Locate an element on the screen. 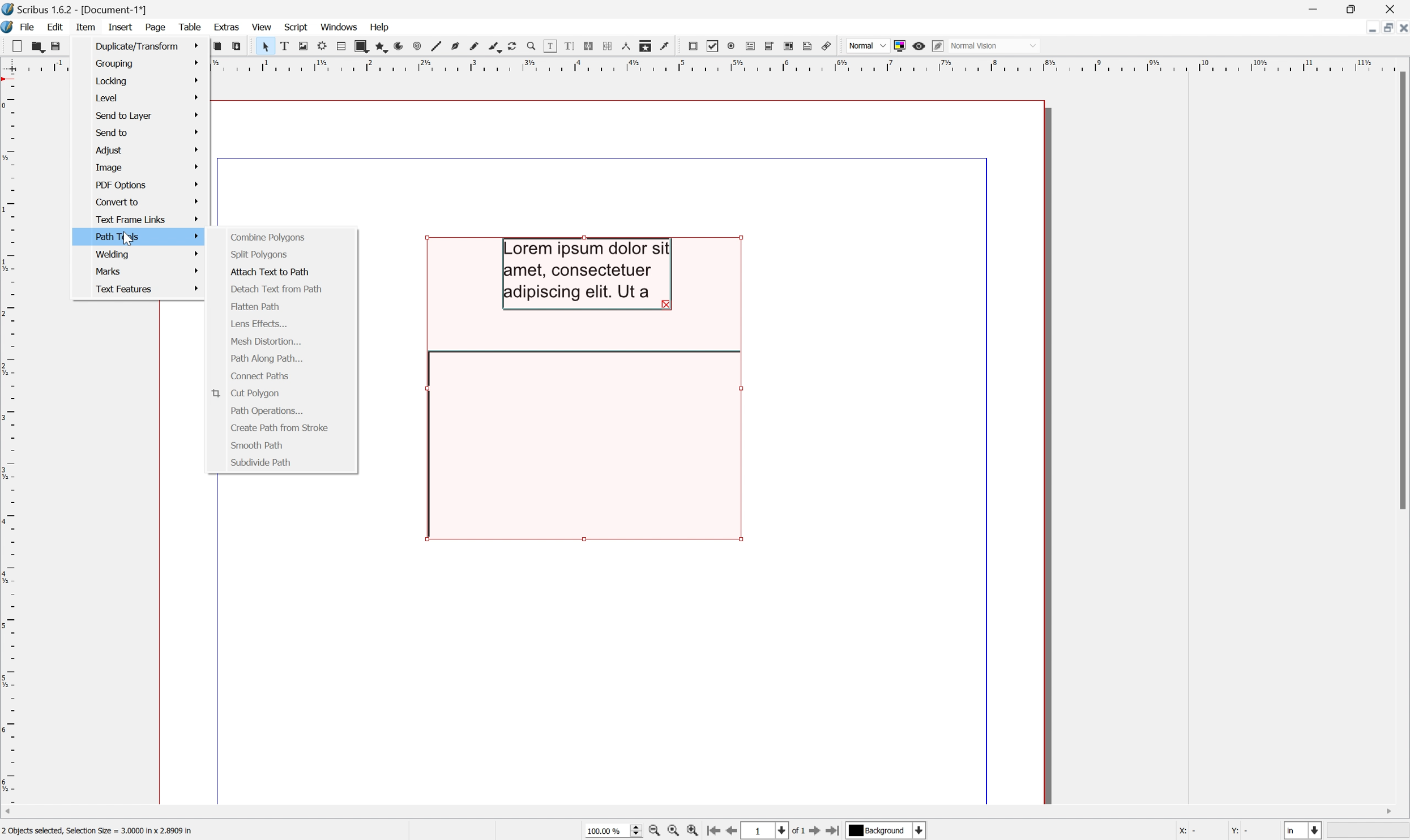 The height and width of the screenshot is (840, 1410). Close is located at coordinates (1392, 8).